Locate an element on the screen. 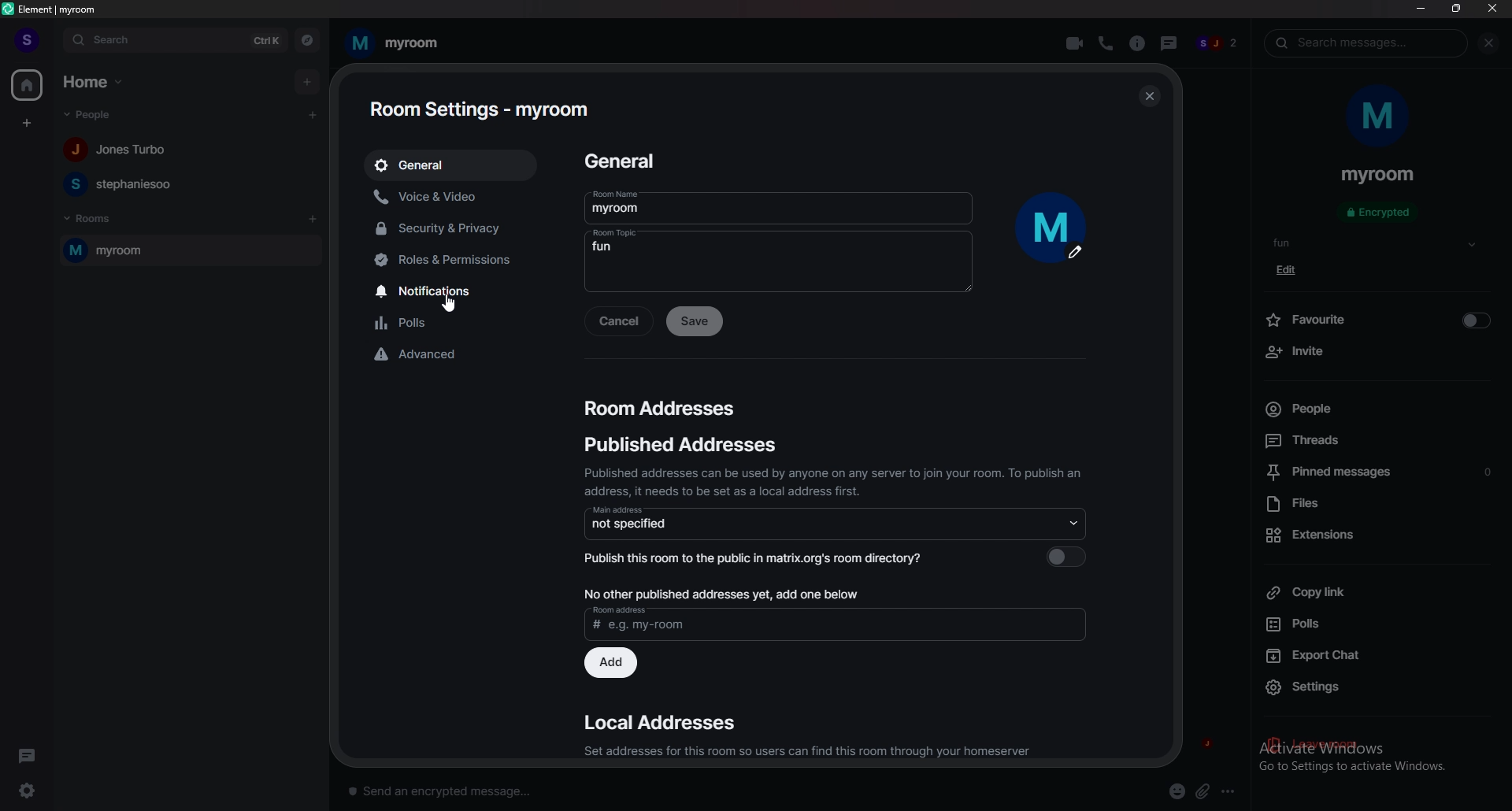 Image resolution: width=1512 pixels, height=811 pixels. cancel is located at coordinates (618, 322).